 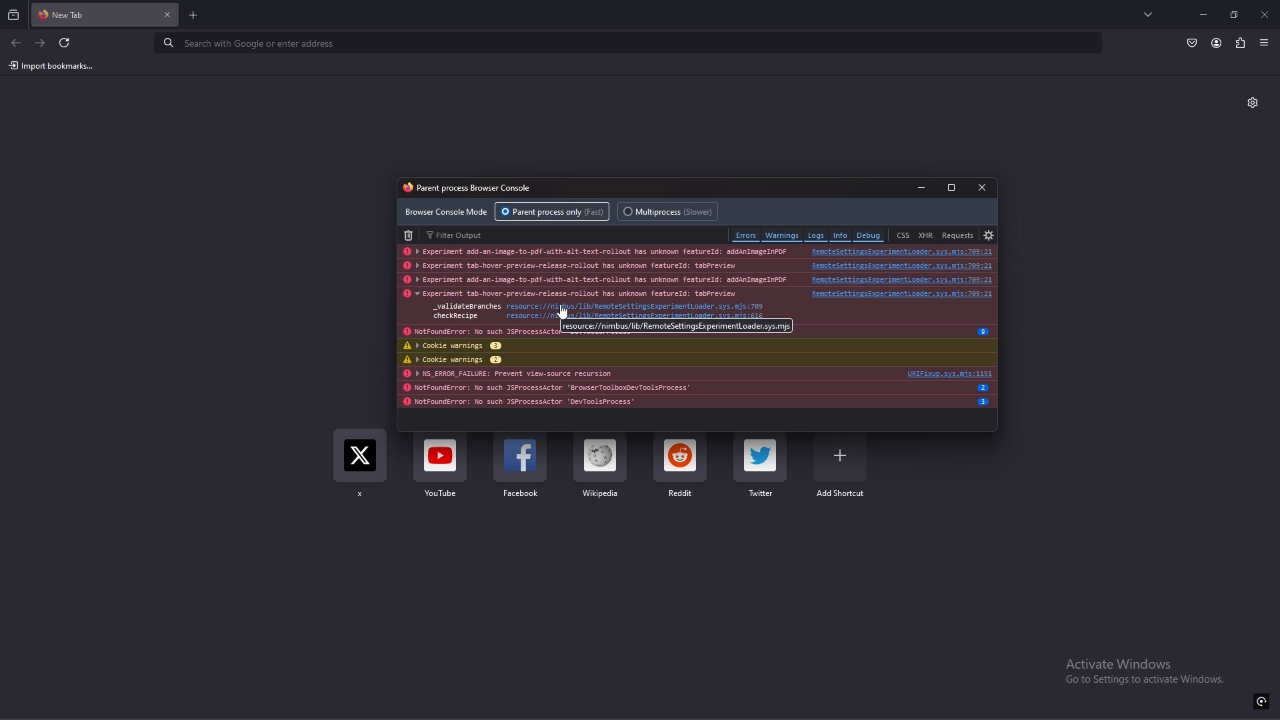 I want to click on extensions, so click(x=1240, y=44).